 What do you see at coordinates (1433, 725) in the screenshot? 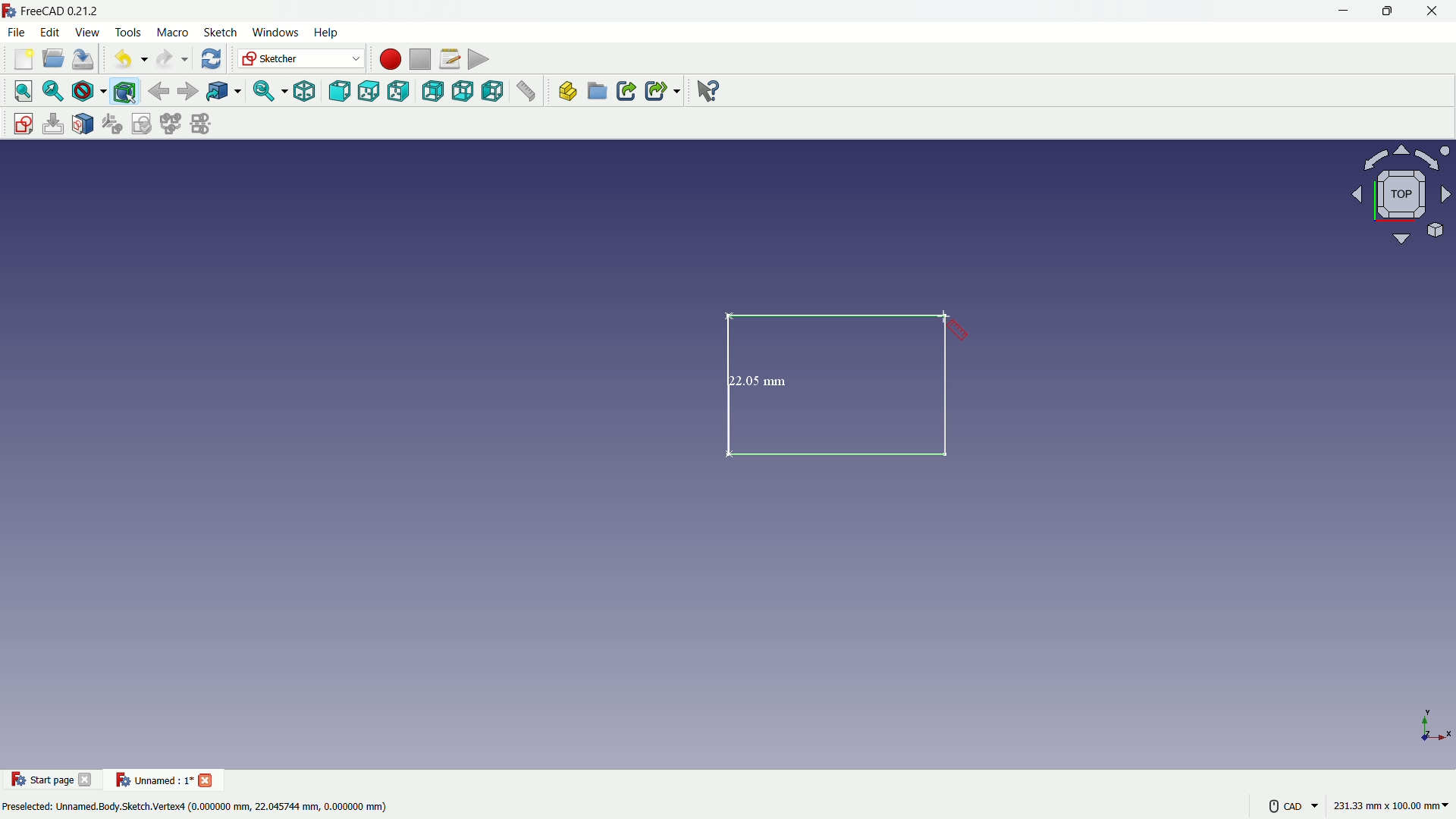
I see `placement axes` at bounding box center [1433, 725].